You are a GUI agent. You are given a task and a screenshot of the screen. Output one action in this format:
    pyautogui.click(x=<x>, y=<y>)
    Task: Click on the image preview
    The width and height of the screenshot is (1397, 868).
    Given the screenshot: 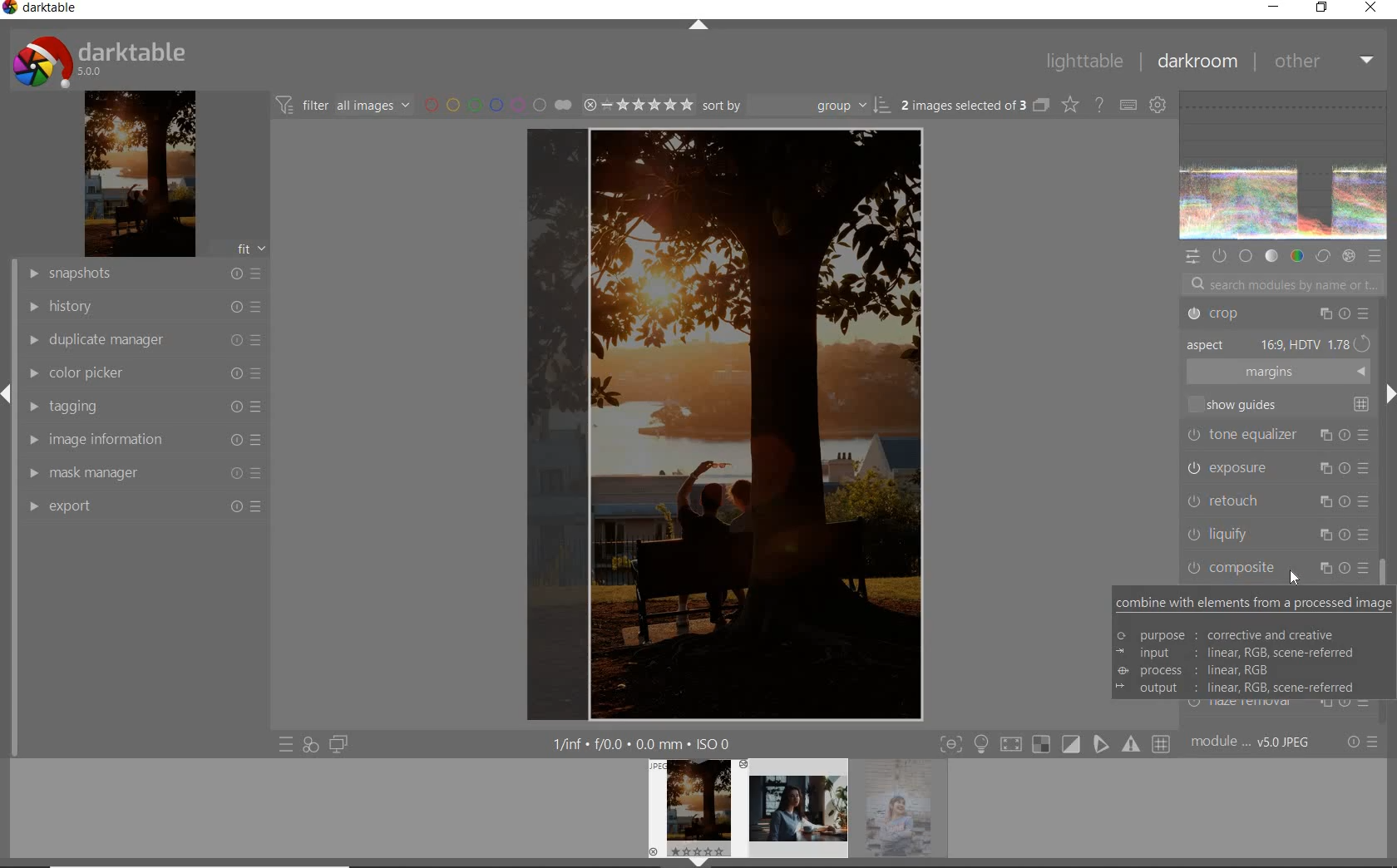 What is the action you would take?
    pyautogui.click(x=692, y=806)
    